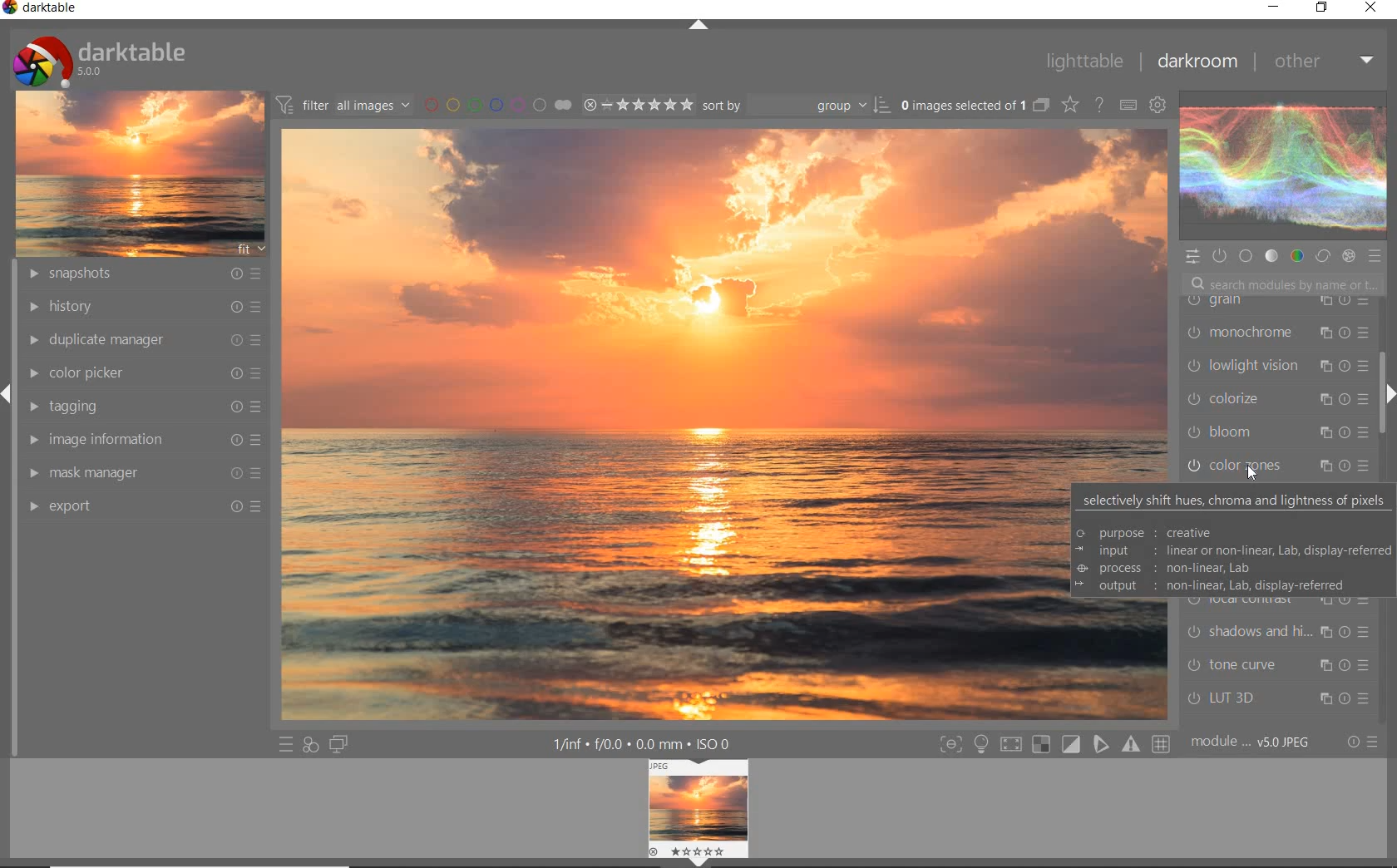 The image size is (1397, 868). Describe the element at coordinates (1278, 665) in the screenshot. I see `tone curve` at that location.